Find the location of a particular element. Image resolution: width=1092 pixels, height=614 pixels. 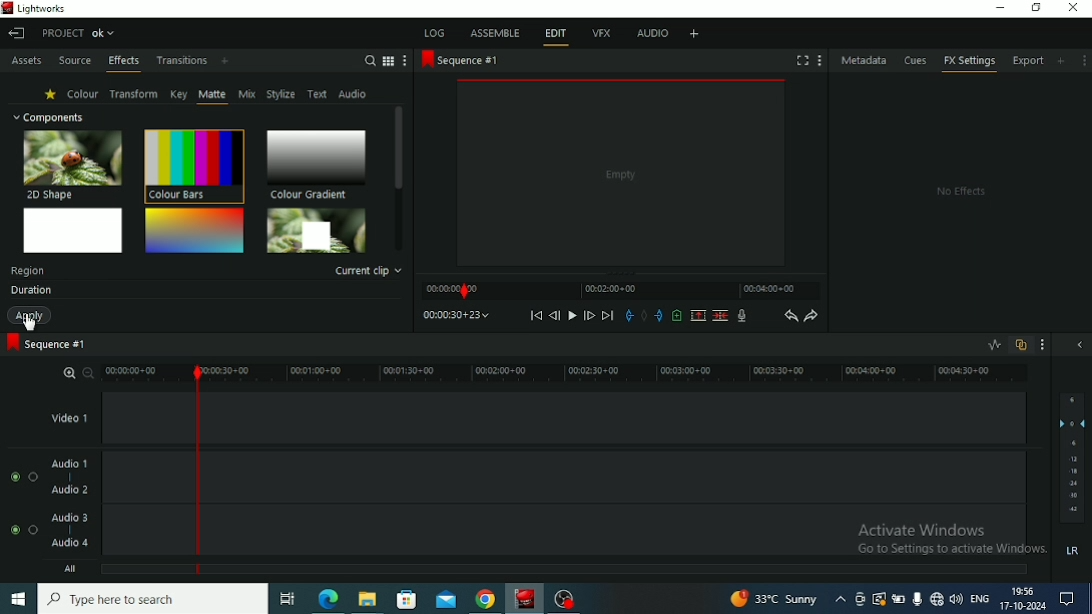

language is located at coordinates (979, 598).